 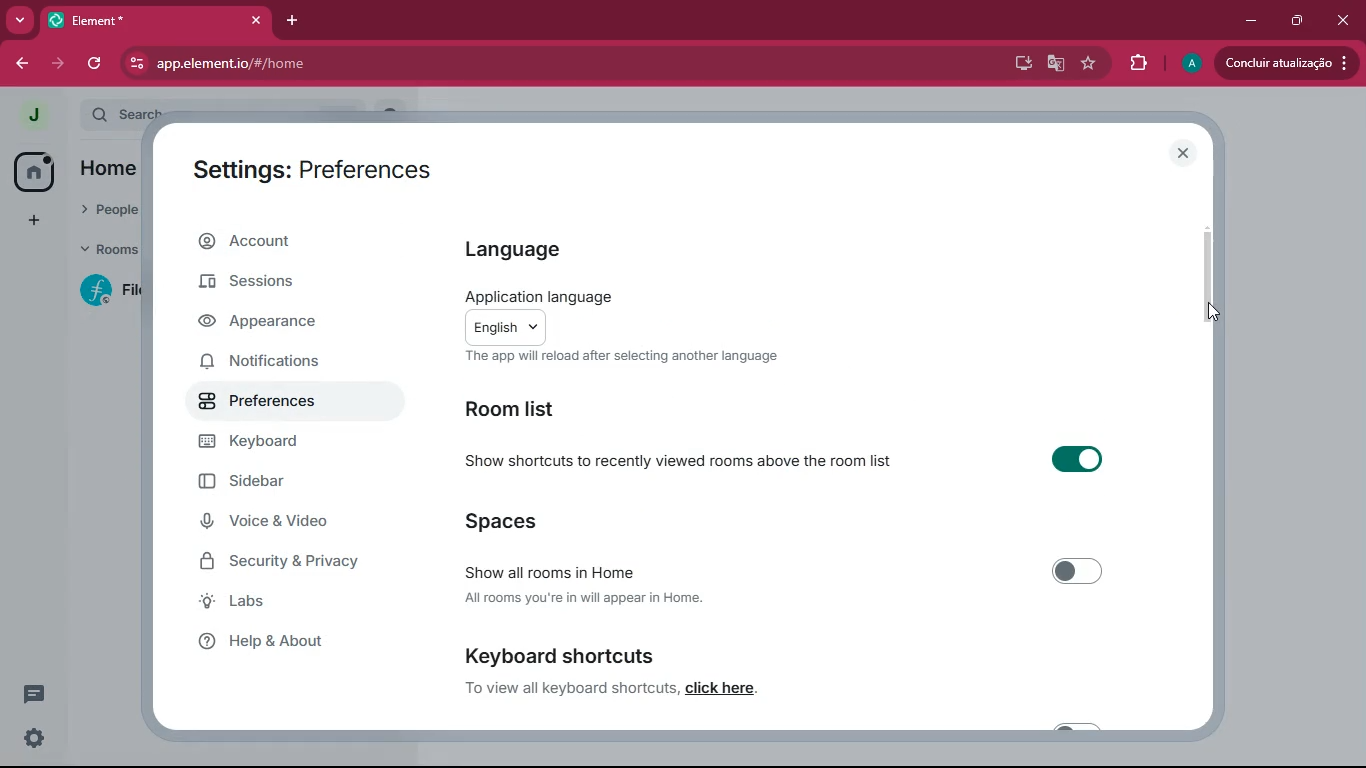 I want to click on sidebar, so click(x=279, y=483).